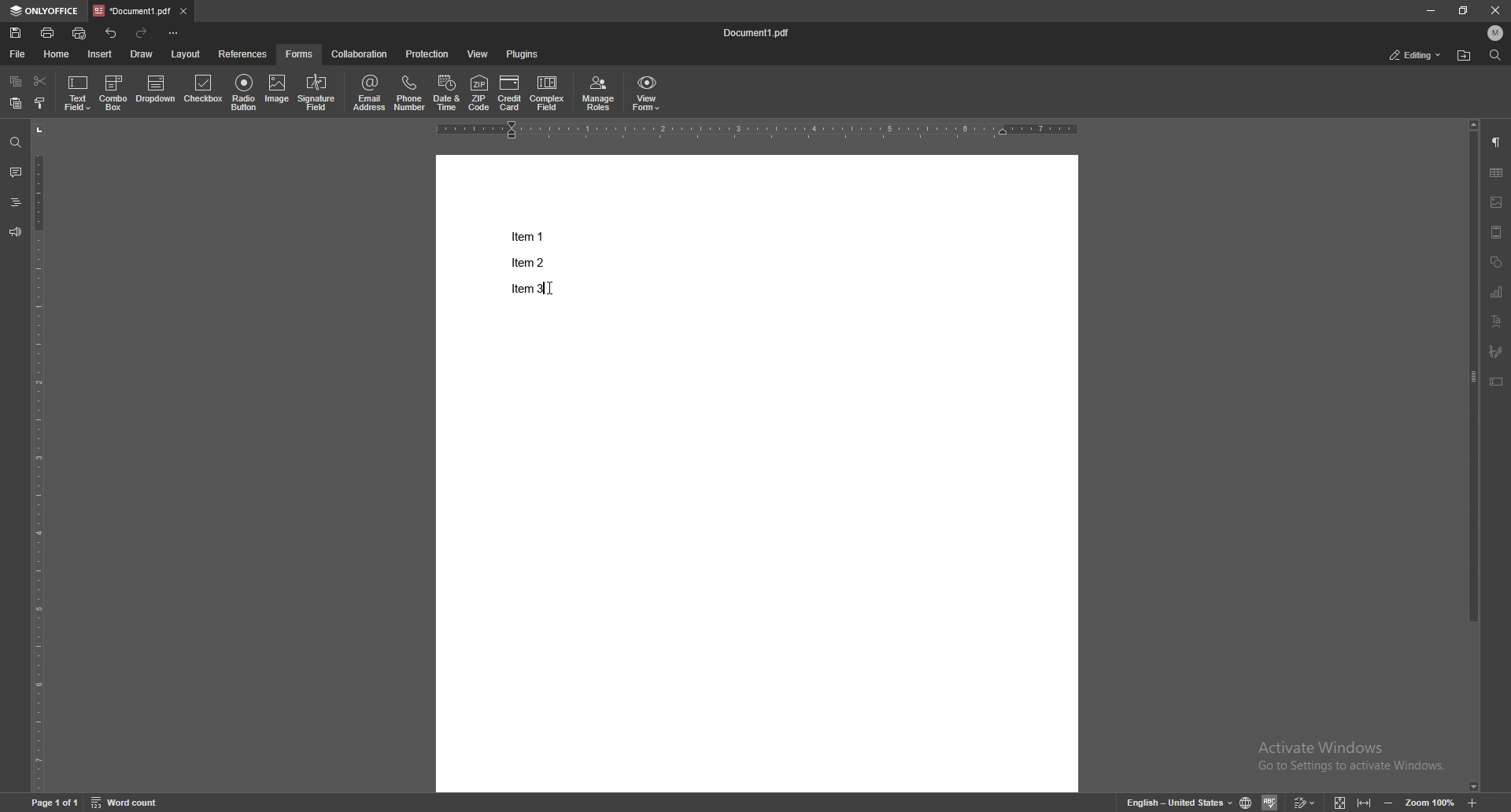 The image size is (1511, 812). What do you see at coordinates (101, 54) in the screenshot?
I see `insert` at bounding box center [101, 54].